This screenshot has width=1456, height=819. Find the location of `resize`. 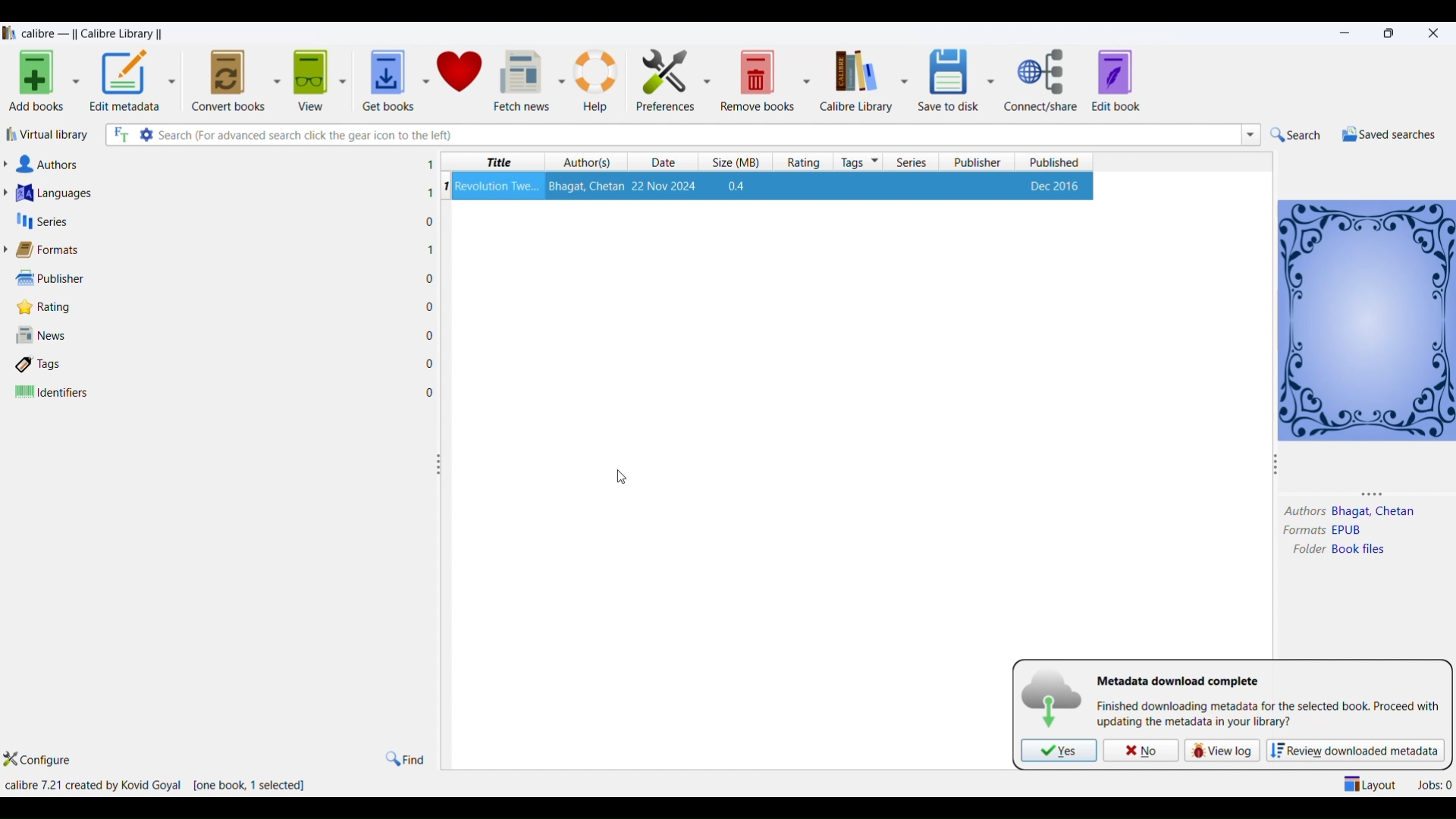

resize is located at coordinates (438, 465).